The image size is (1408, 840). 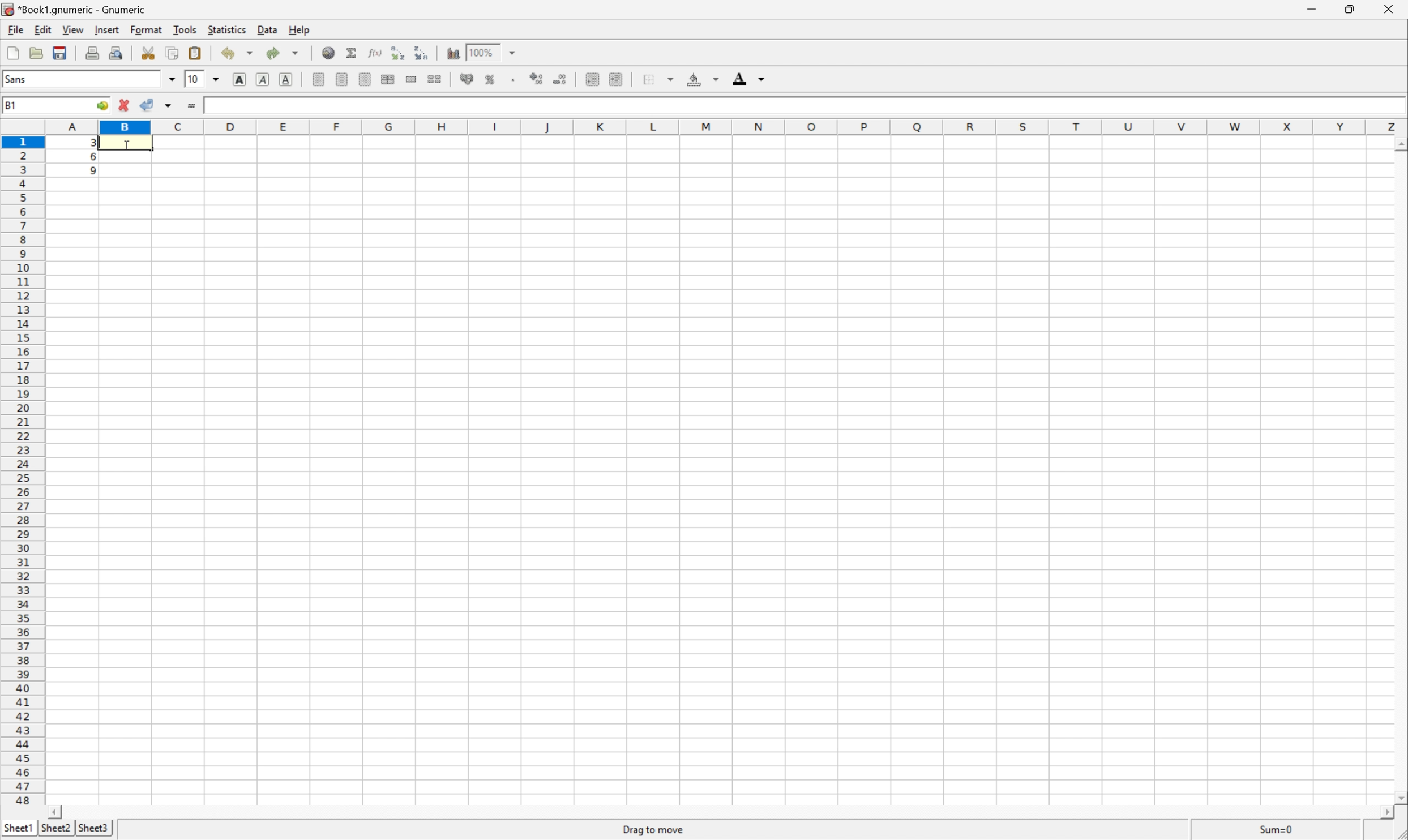 I want to click on Format, so click(x=146, y=29).